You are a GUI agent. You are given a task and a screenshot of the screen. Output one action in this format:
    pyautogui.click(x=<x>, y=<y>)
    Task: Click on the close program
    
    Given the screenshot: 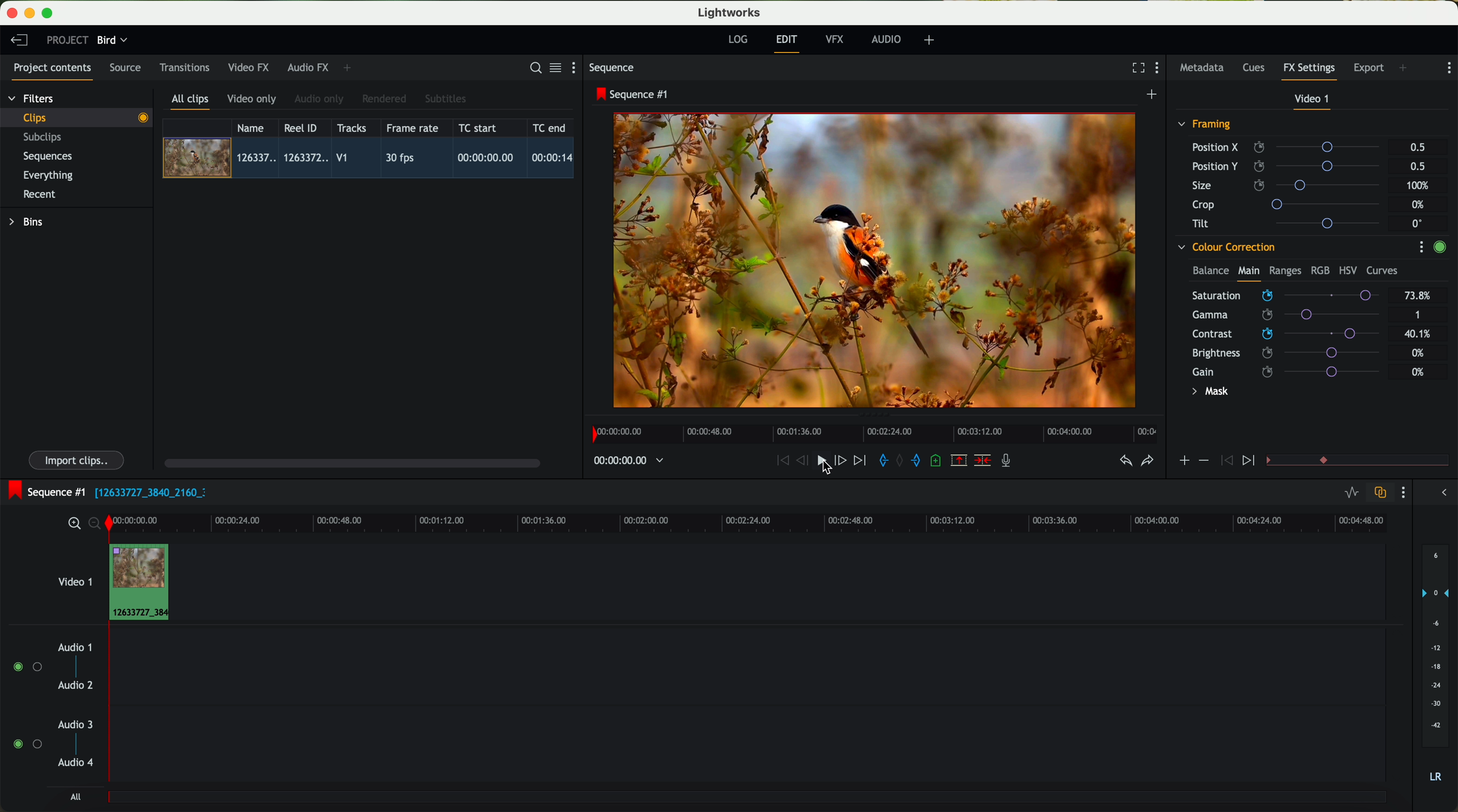 What is the action you would take?
    pyautogui.click(x=12, y=13)
    